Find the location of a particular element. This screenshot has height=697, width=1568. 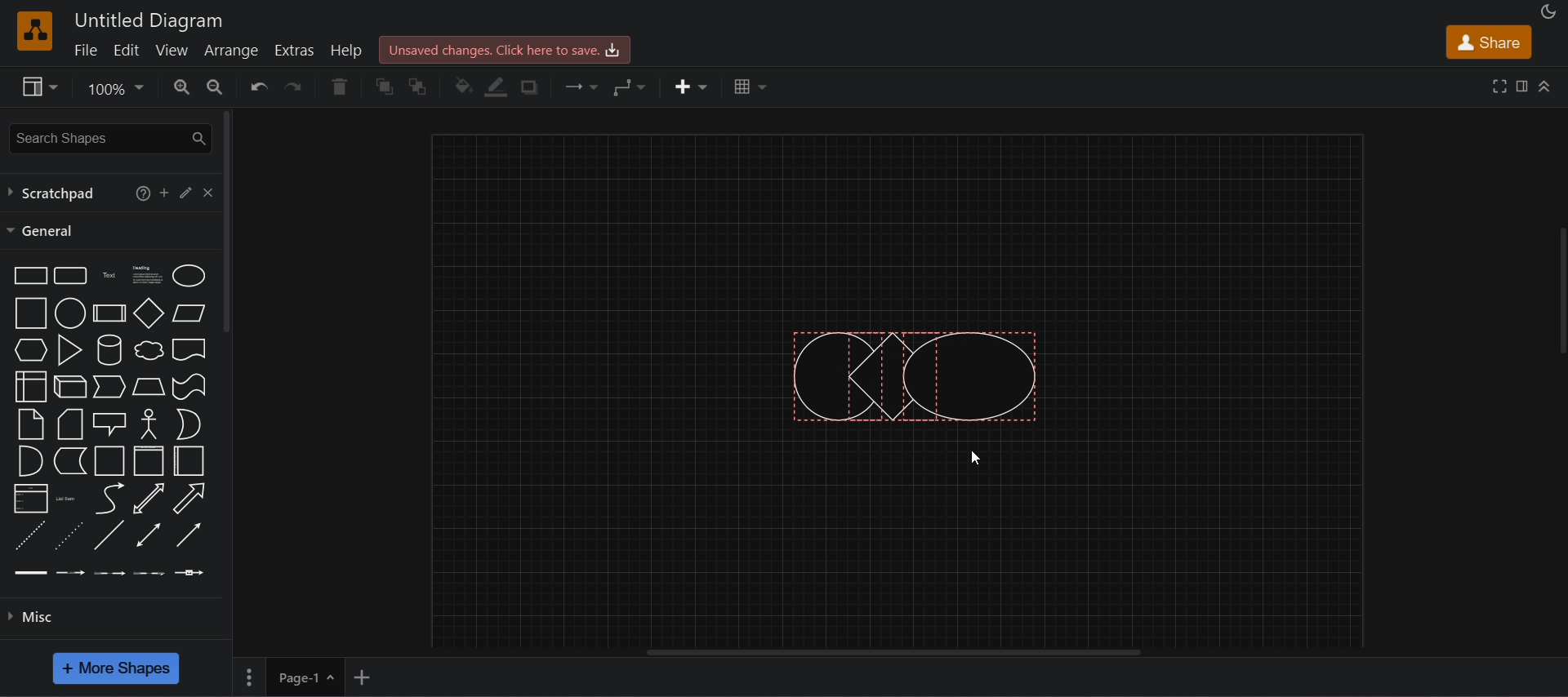

internal storage is located at coordinates (29, 387).